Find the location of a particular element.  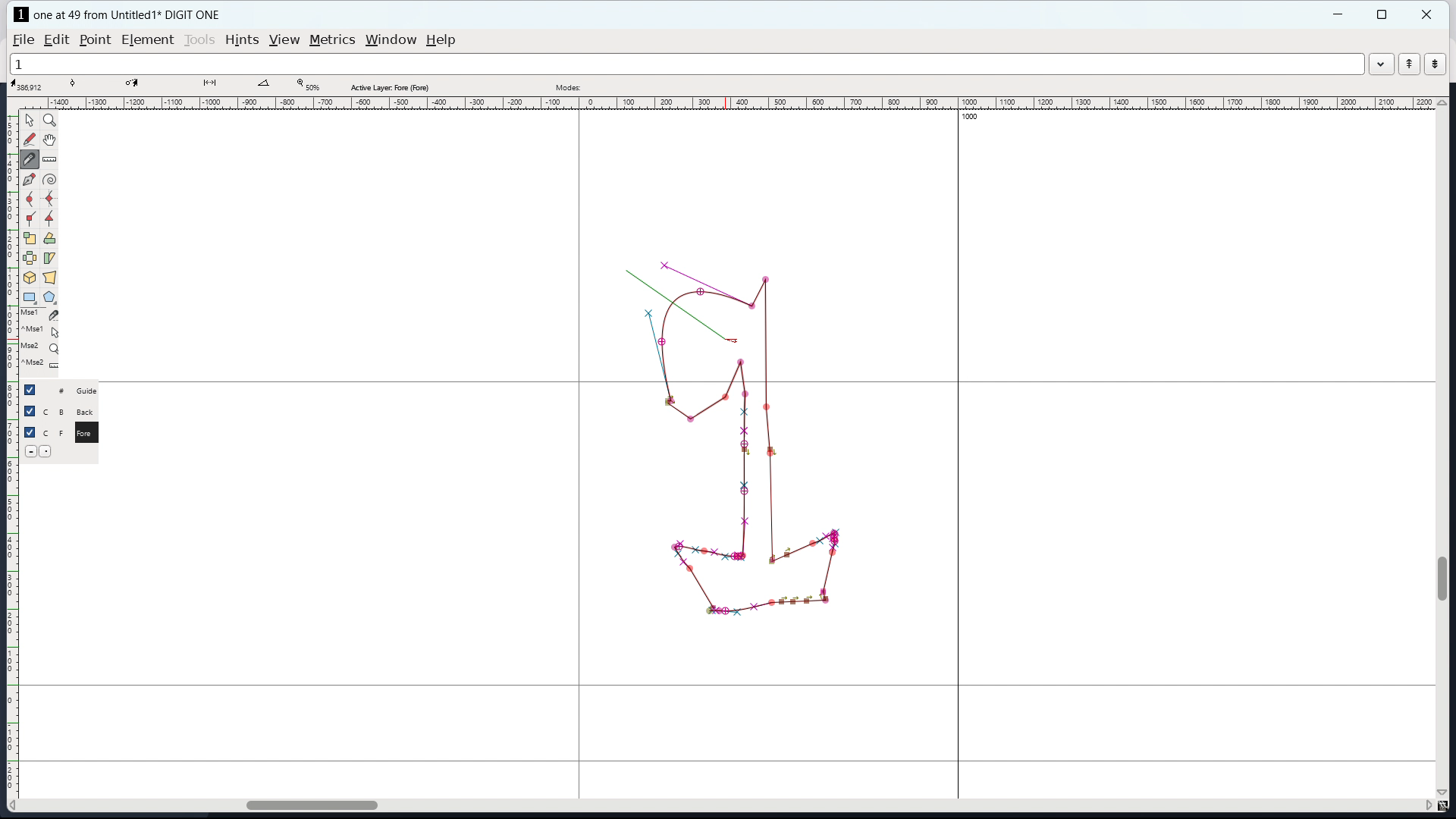

hints is located at coordinates (242, 39).